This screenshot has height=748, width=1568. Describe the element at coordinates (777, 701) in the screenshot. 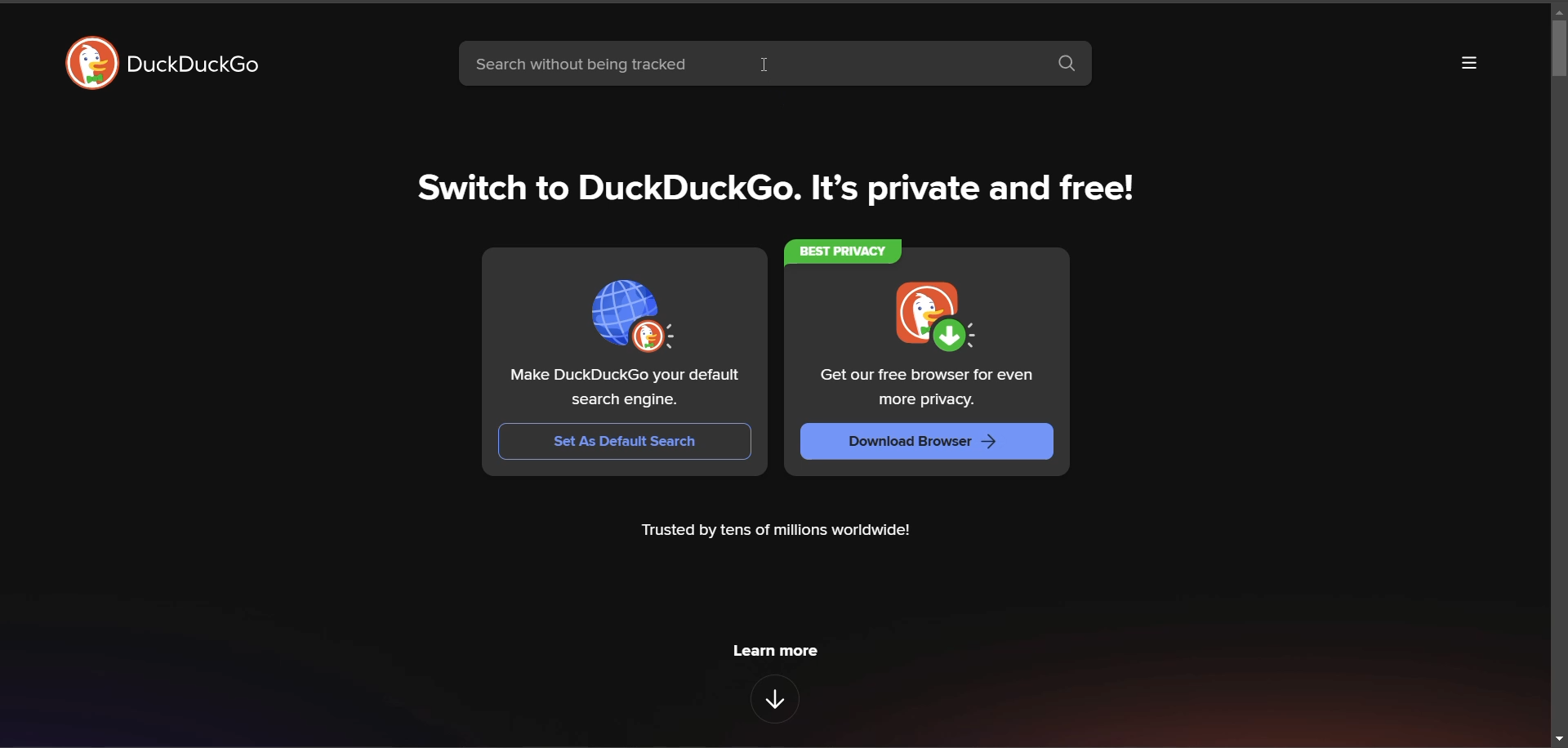

I see `features` at that location.